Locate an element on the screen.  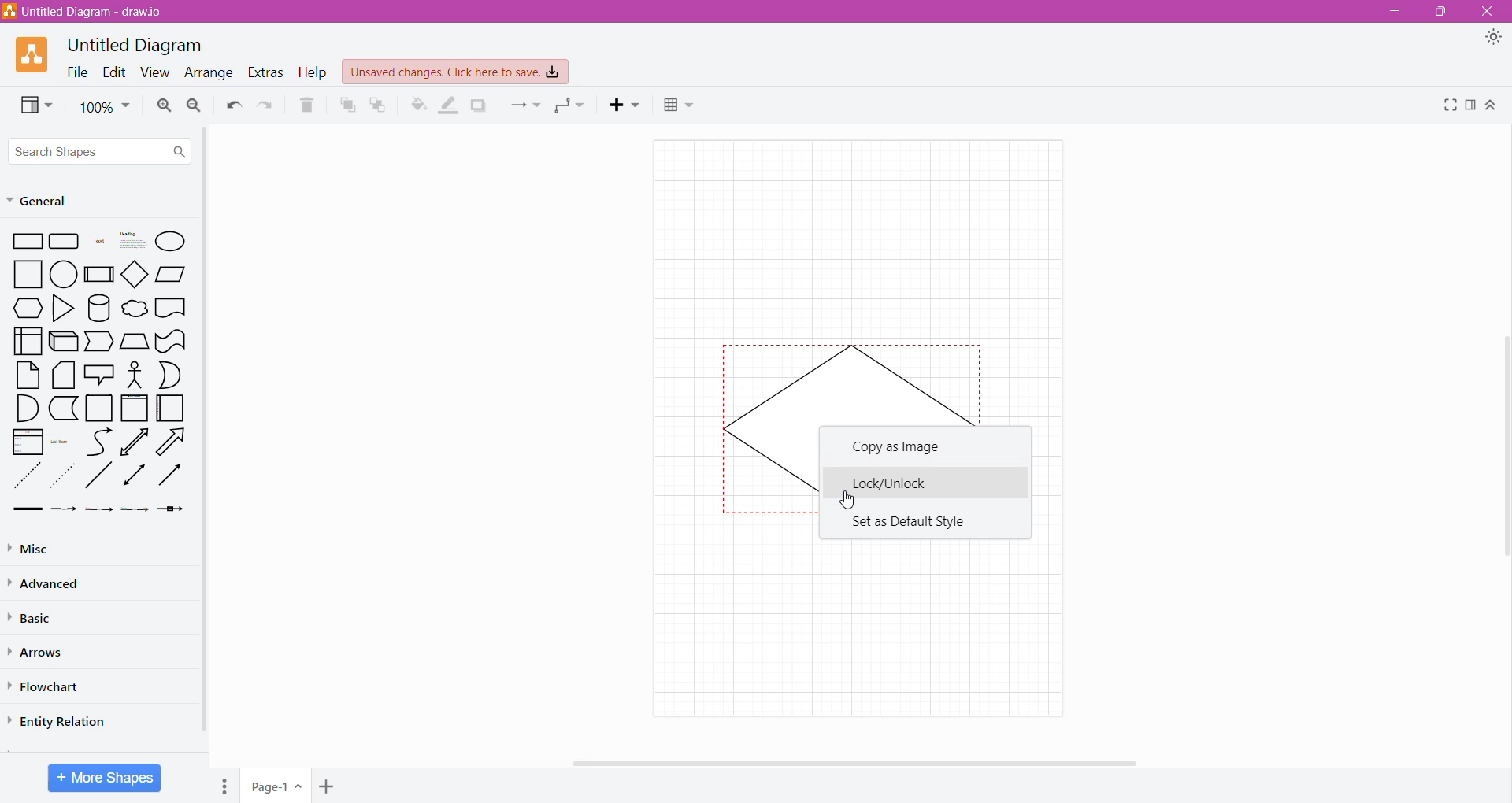
Rounded Rectangle is located at coordinates (65, 242).